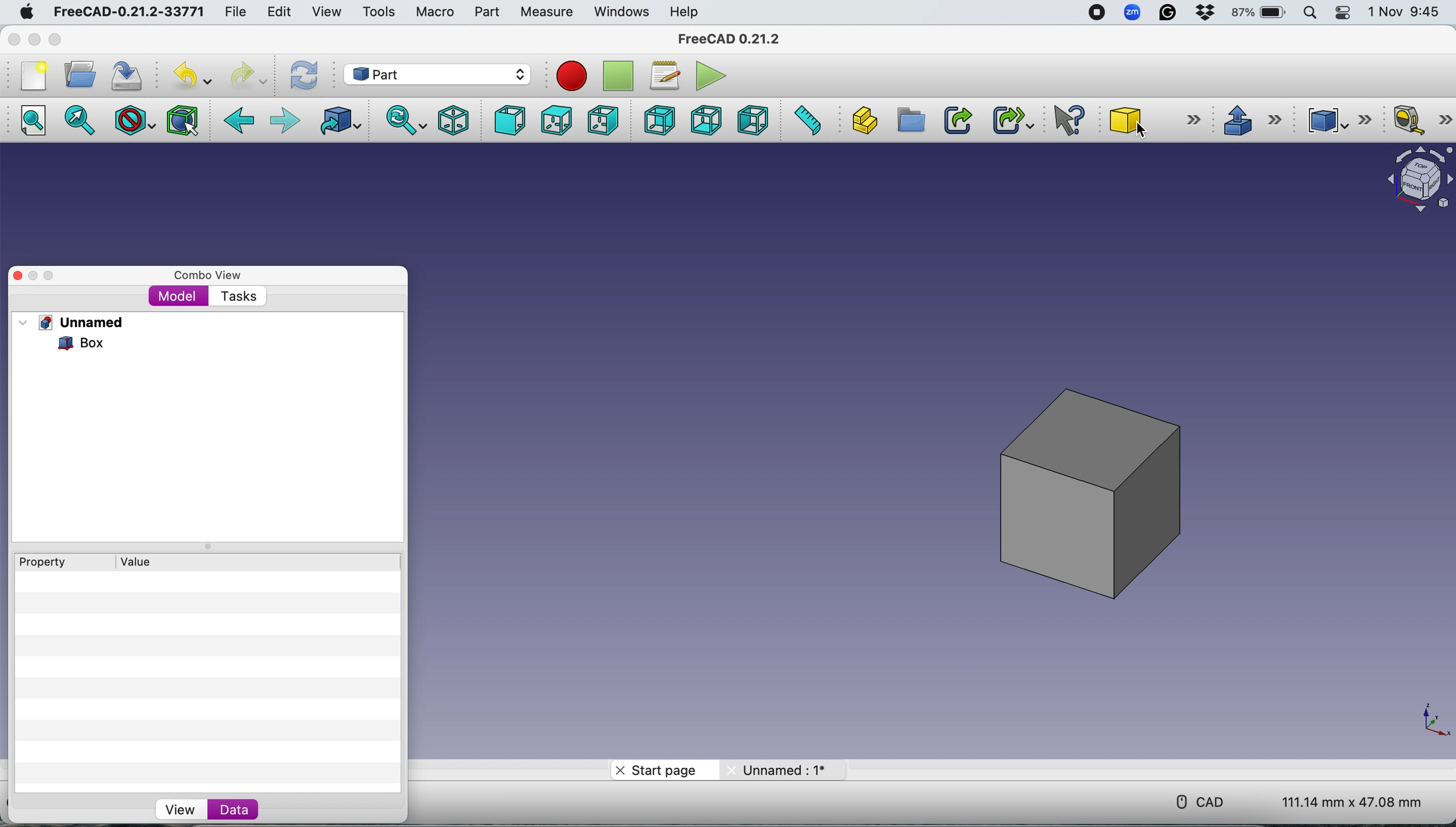 The image size is (1456, 827). I want to click on File, so click(232, 12).